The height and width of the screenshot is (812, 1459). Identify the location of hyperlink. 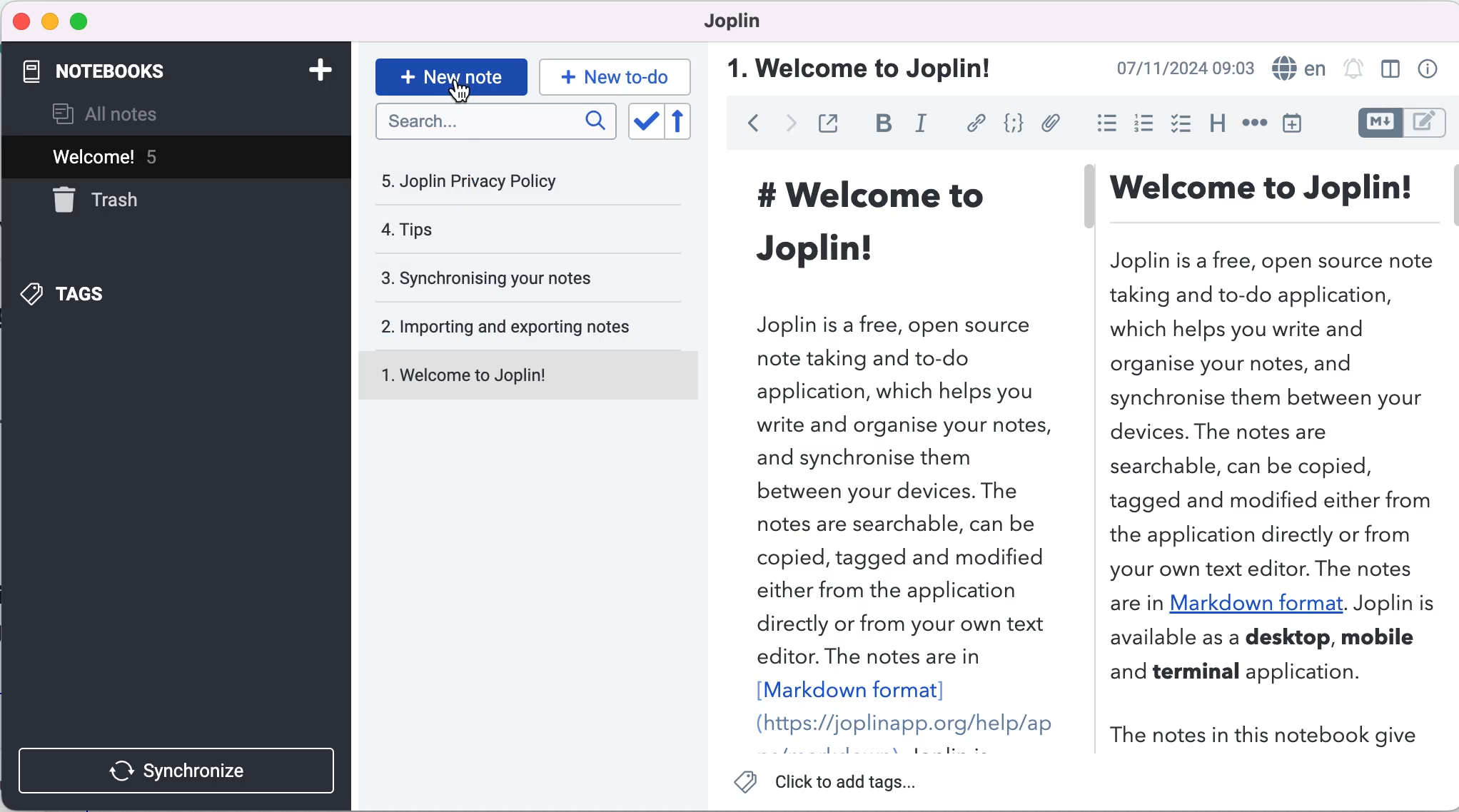
(975, 123).